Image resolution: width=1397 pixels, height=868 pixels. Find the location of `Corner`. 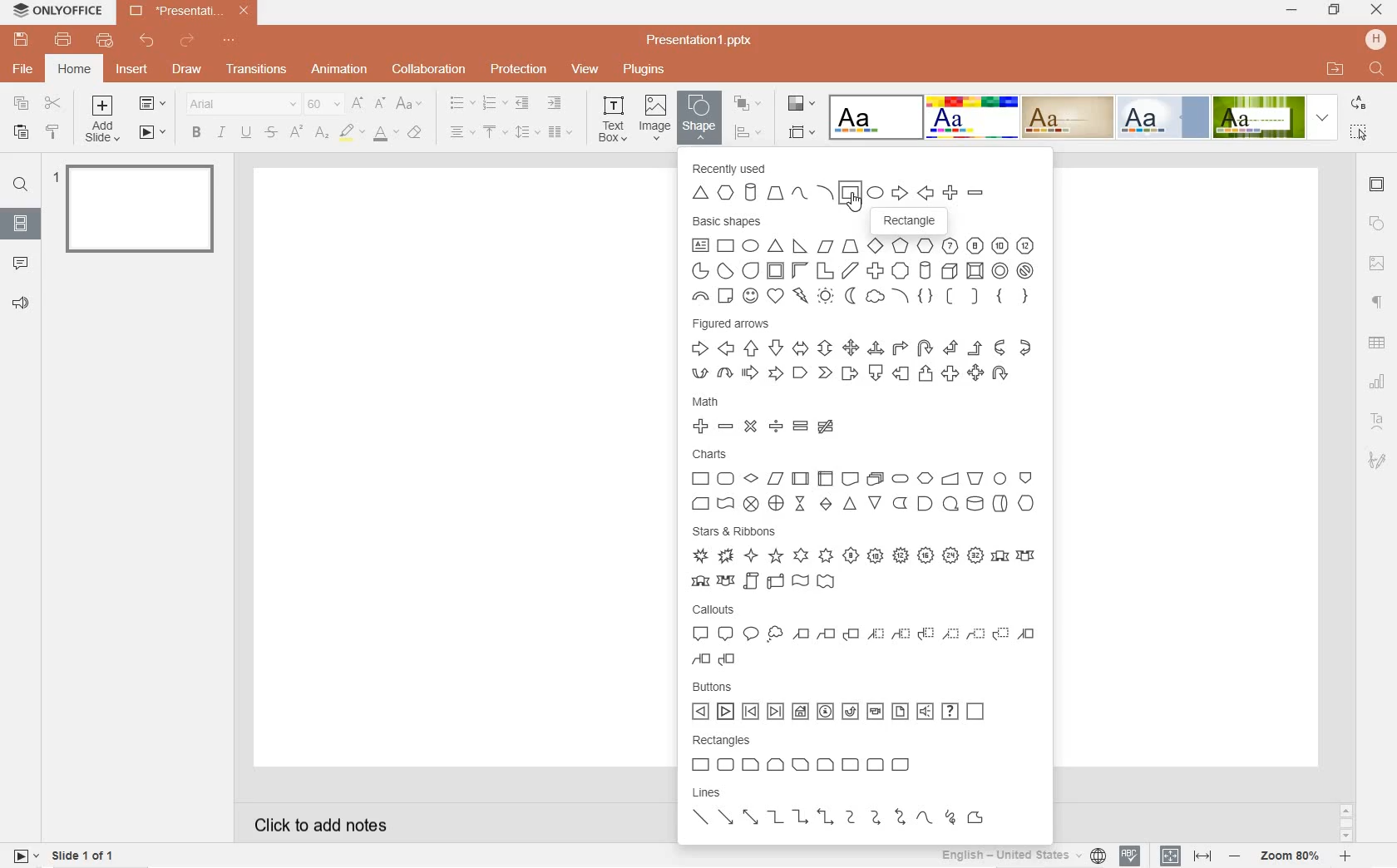

Corner is located at coordinates (826, 271).